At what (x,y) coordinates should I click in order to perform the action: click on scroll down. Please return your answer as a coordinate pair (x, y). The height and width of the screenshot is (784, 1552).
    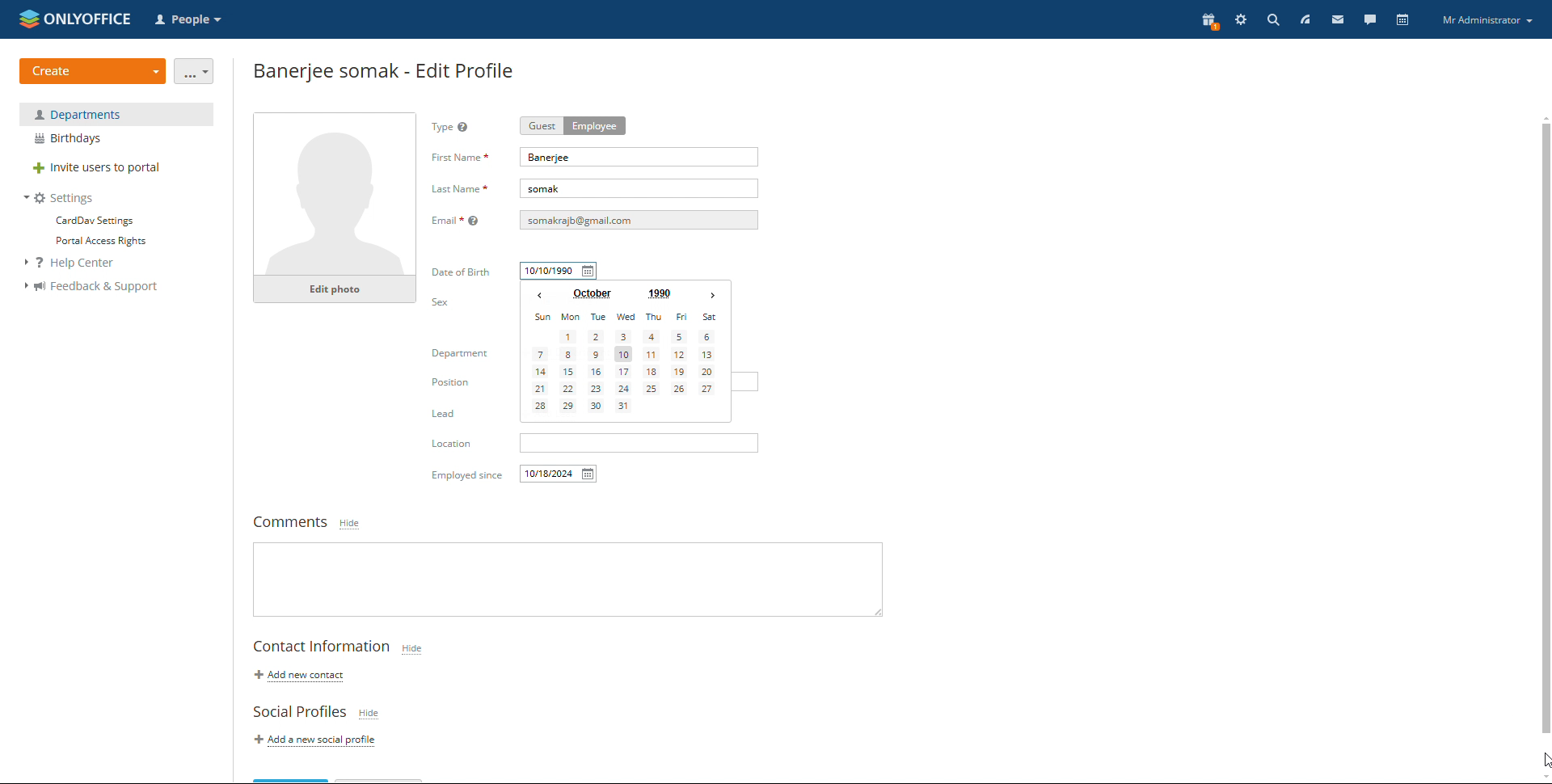
    Looking at the image, I should click on (1542, 778).